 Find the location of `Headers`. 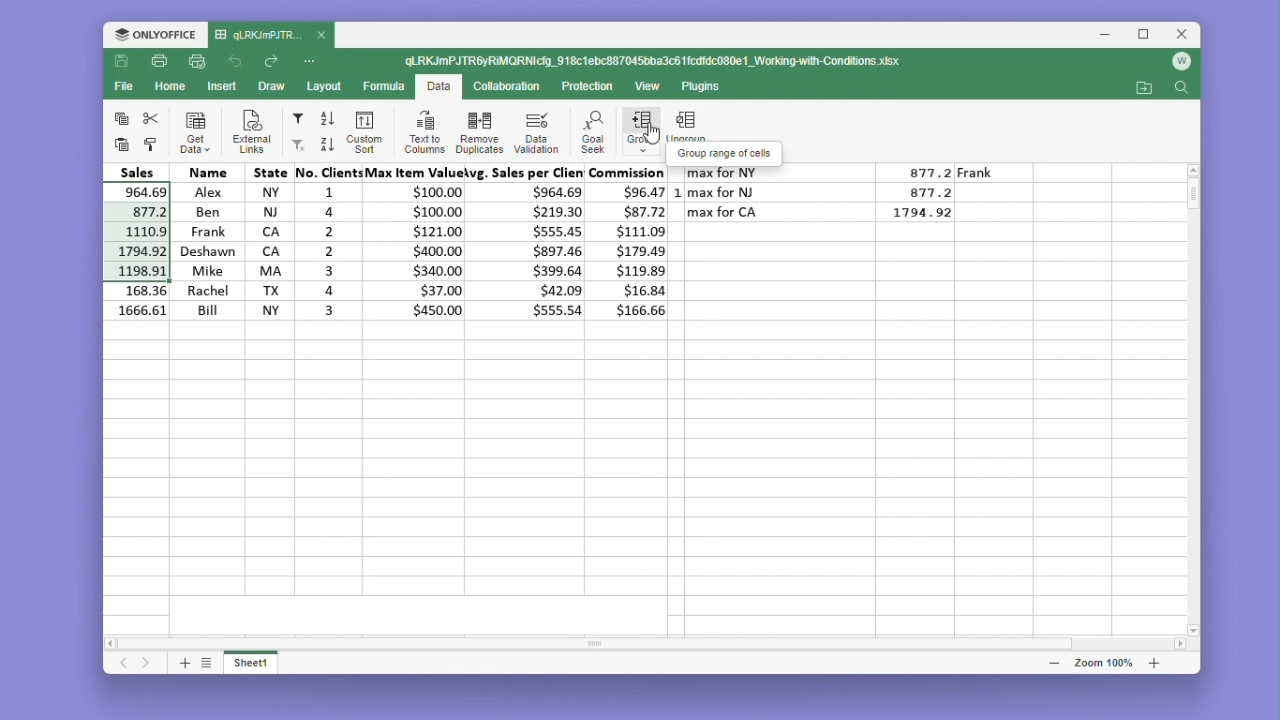

Headers is located at coordinates (385, 172).